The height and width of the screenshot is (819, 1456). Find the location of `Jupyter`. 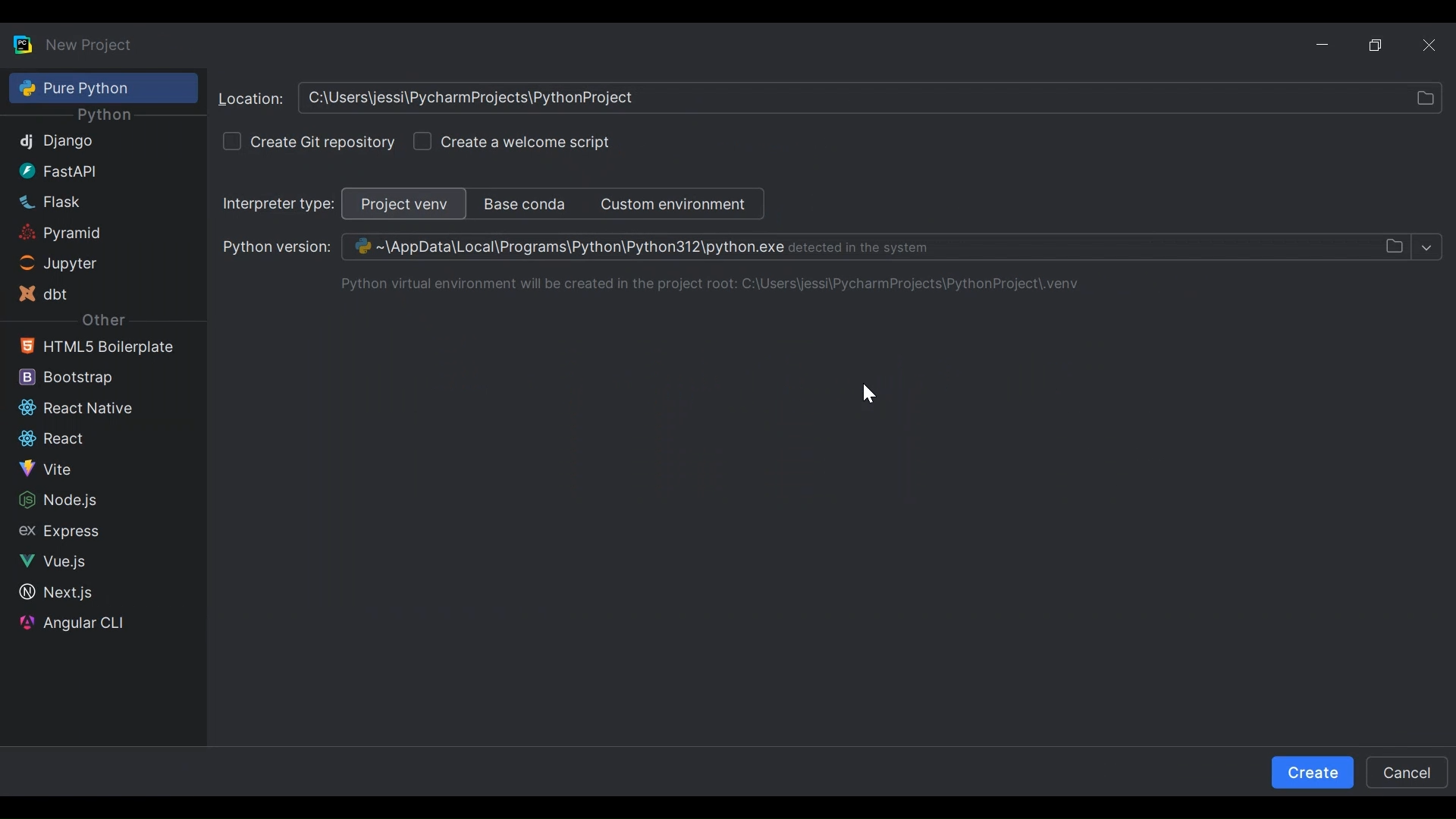

Jupyter is located at coordinates (92, 264).